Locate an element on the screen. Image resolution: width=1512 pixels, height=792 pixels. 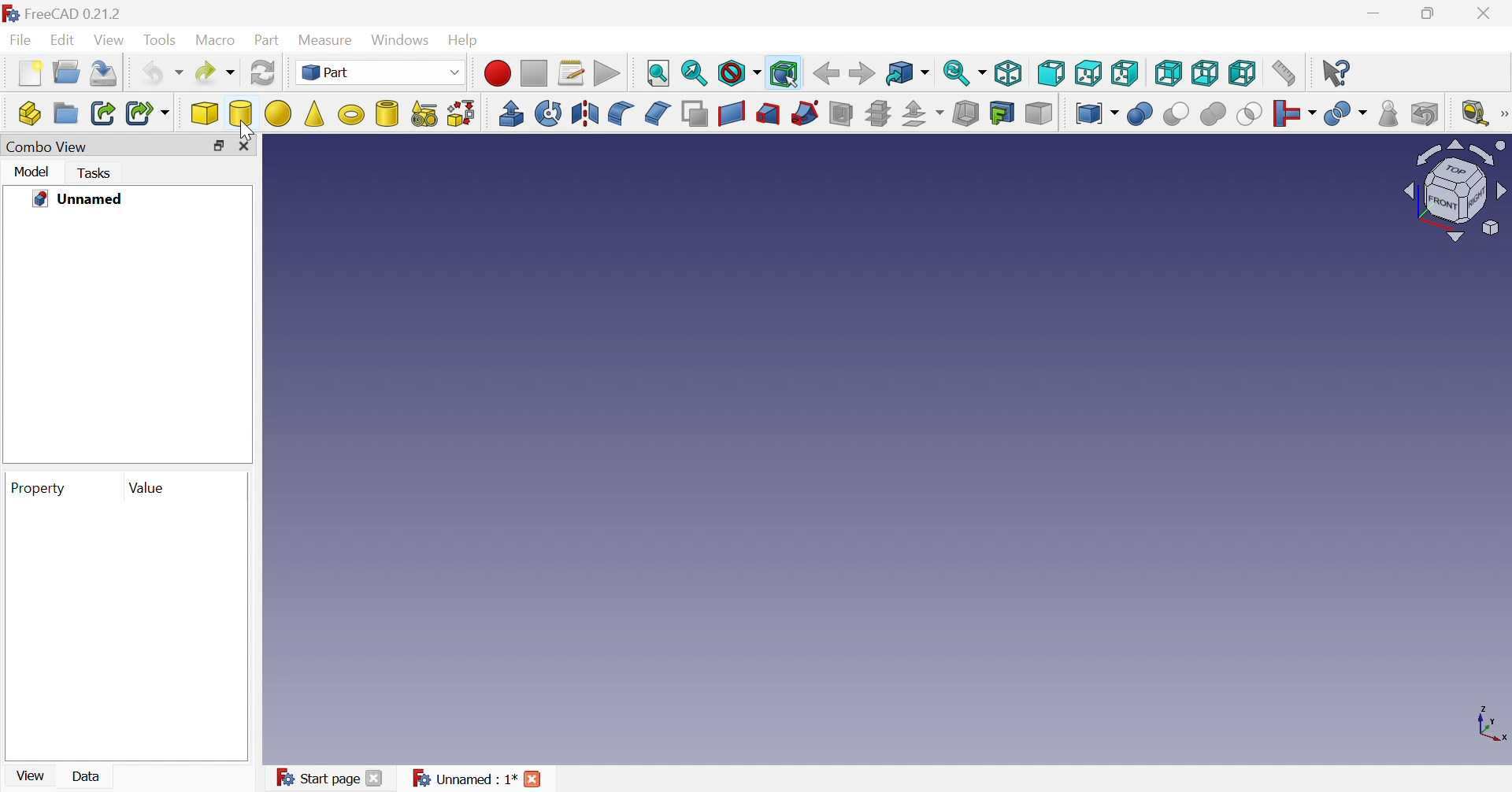
Cylinder is located at coordinates (240, 113).